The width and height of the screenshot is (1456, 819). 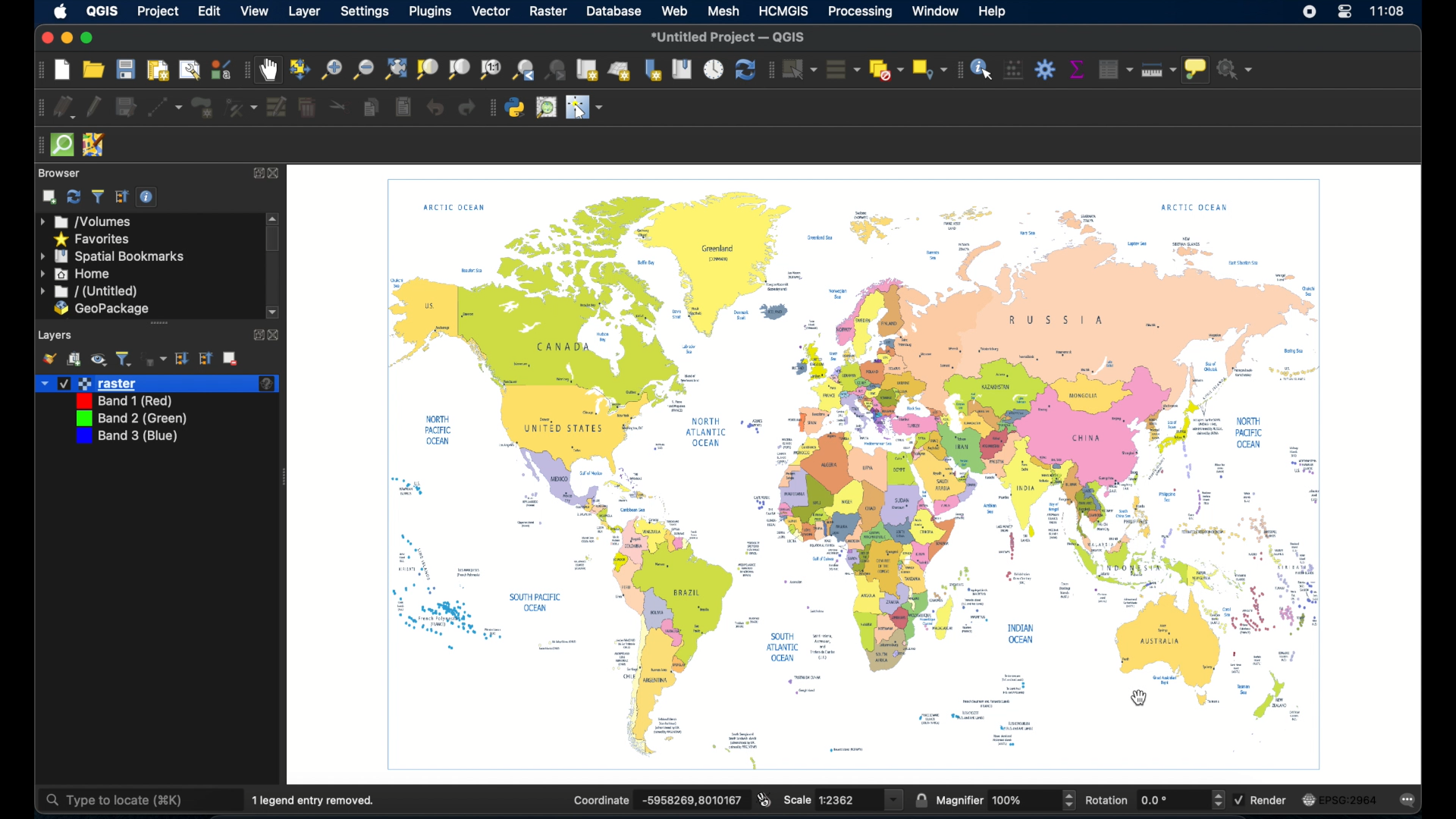 What do you see at coordinates (363, 69) in the screenshot?
I see `zoom out` at bounding box center [363, 69].